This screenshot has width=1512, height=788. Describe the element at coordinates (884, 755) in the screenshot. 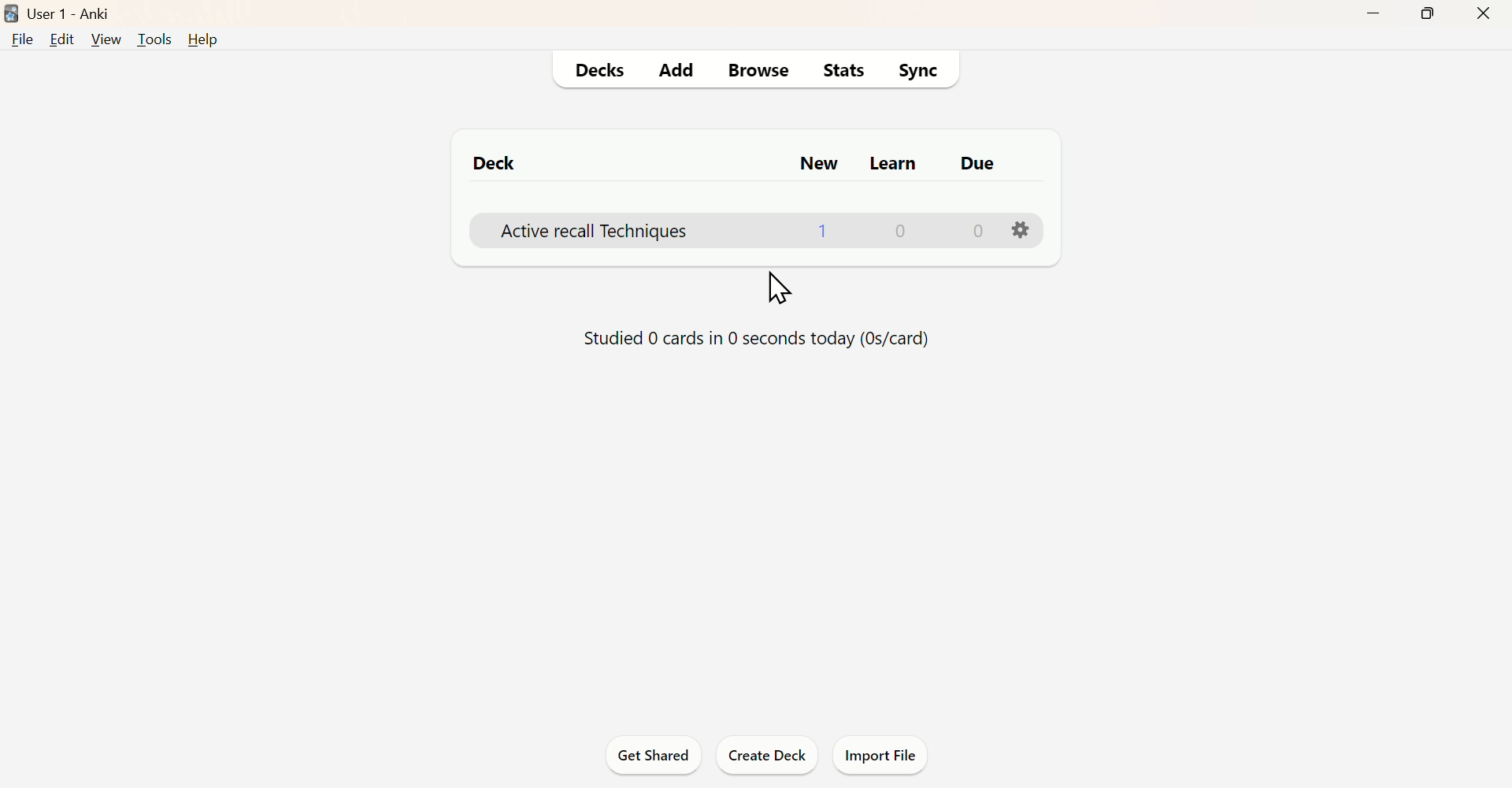

I see `Import File` at that location.